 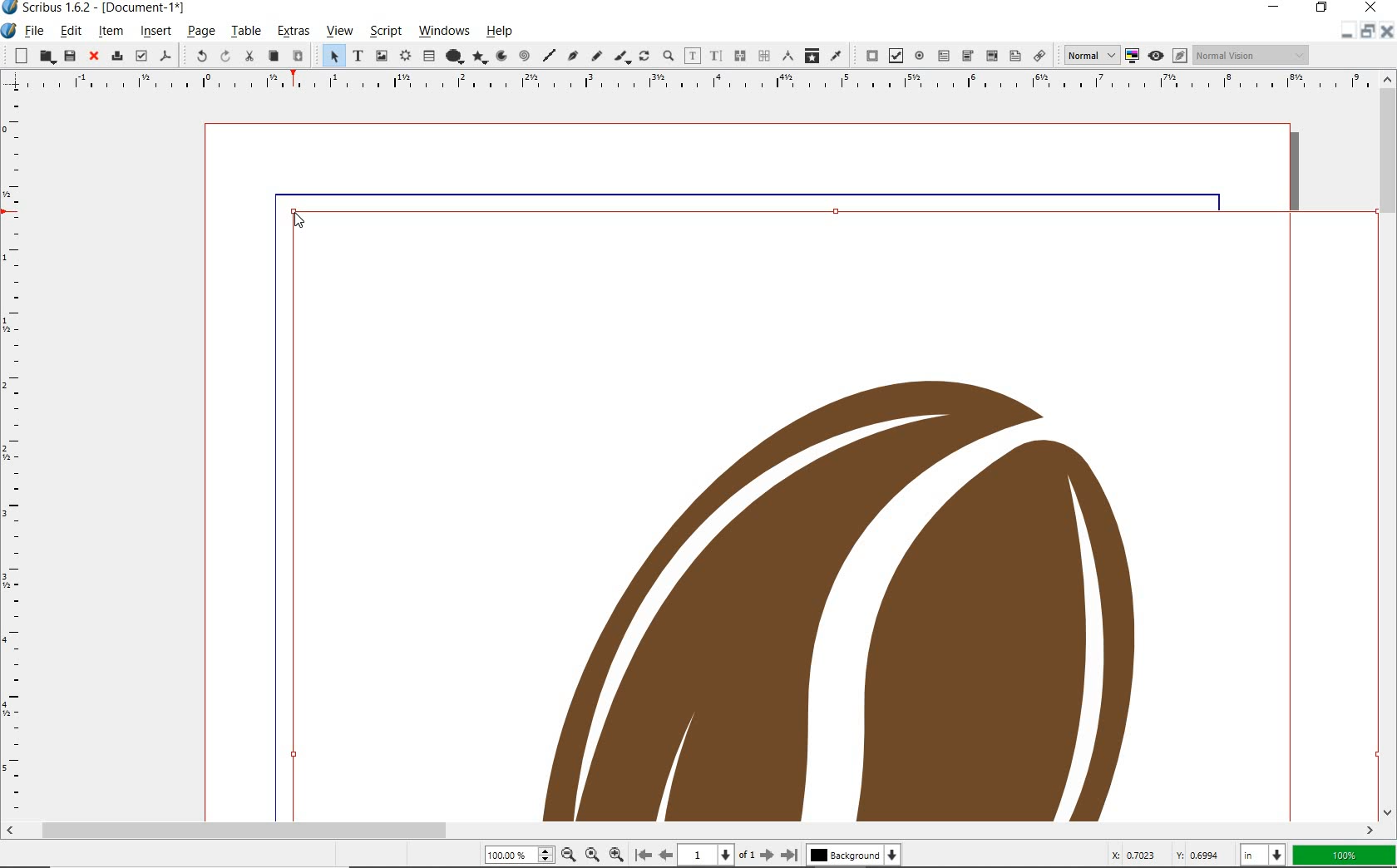 I want to click on insert, so click(x=155, y=32).